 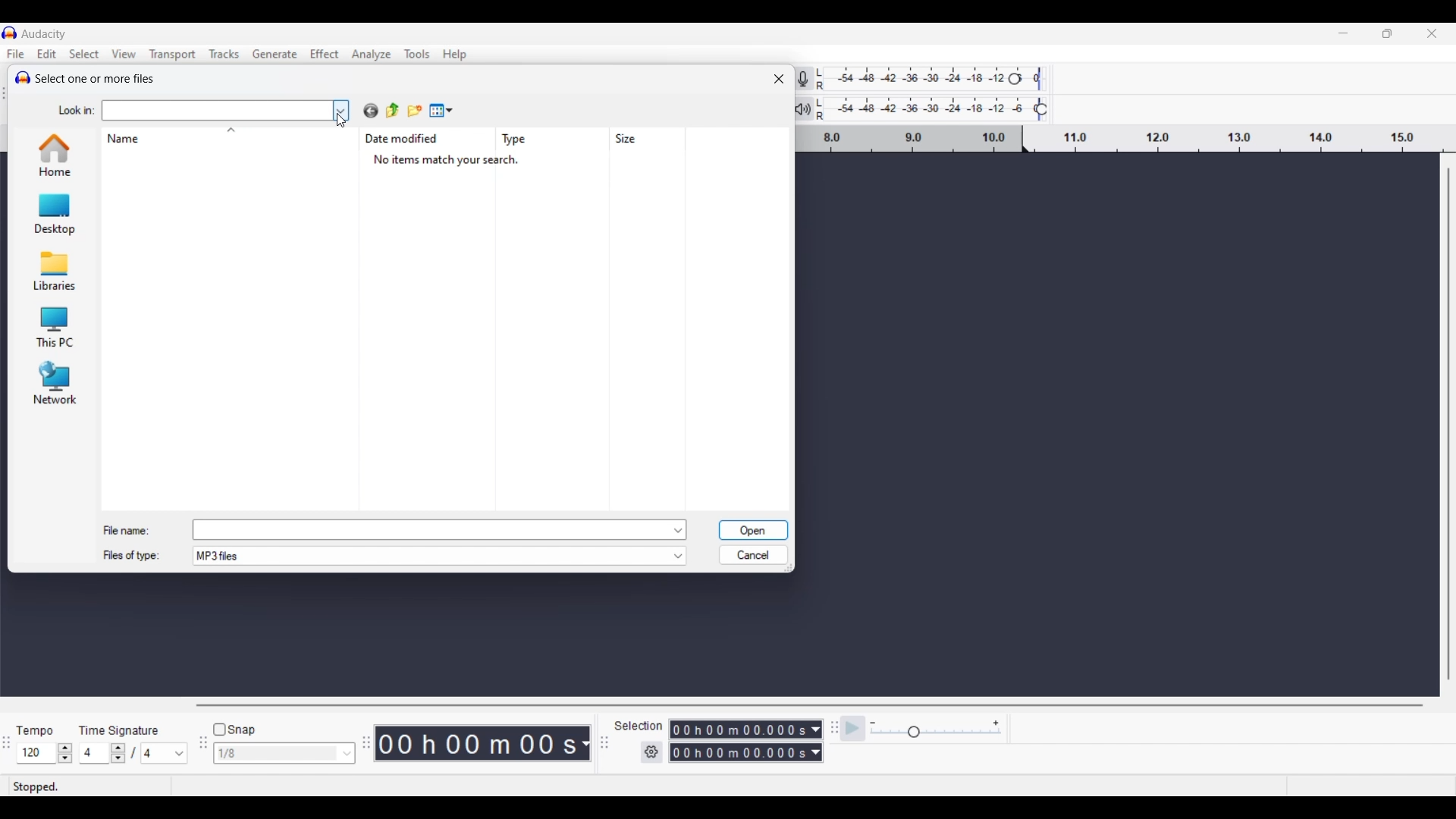 I want to click on selection toolbar, so click(x=601, y=743).